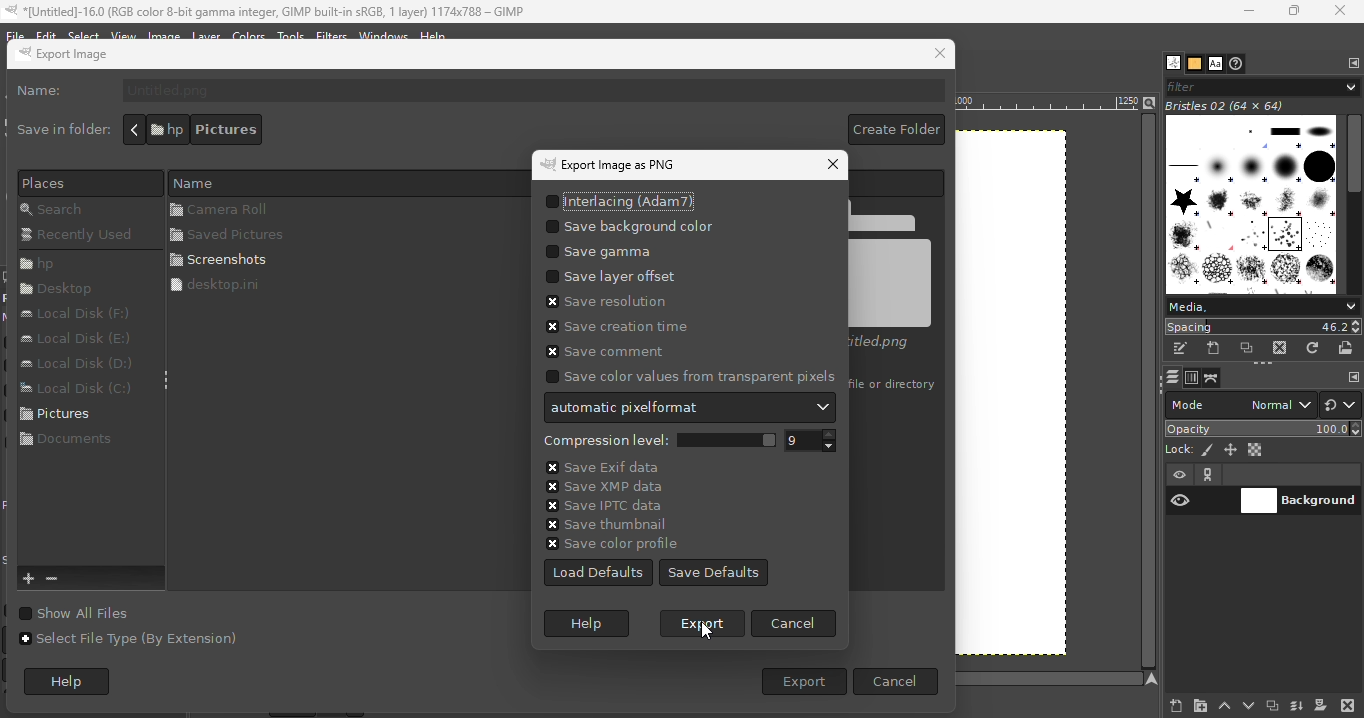 The height and width of the screenshot is (718, 1364). What do you see at coordinates (1194, 64) in the screenshot?
I see `Patterns` at bounding box center [1194, 64].